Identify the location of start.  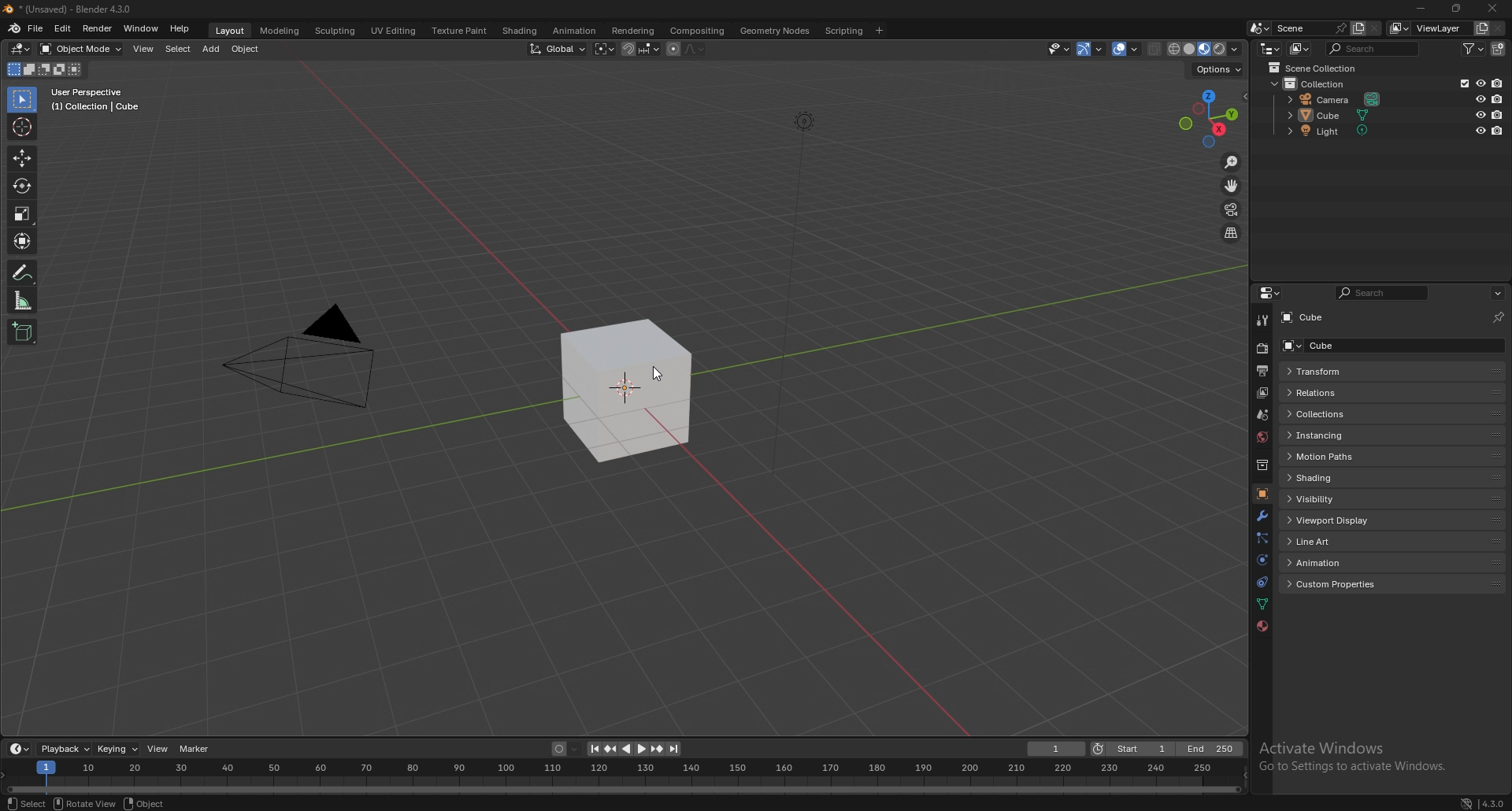
(1132, 749).